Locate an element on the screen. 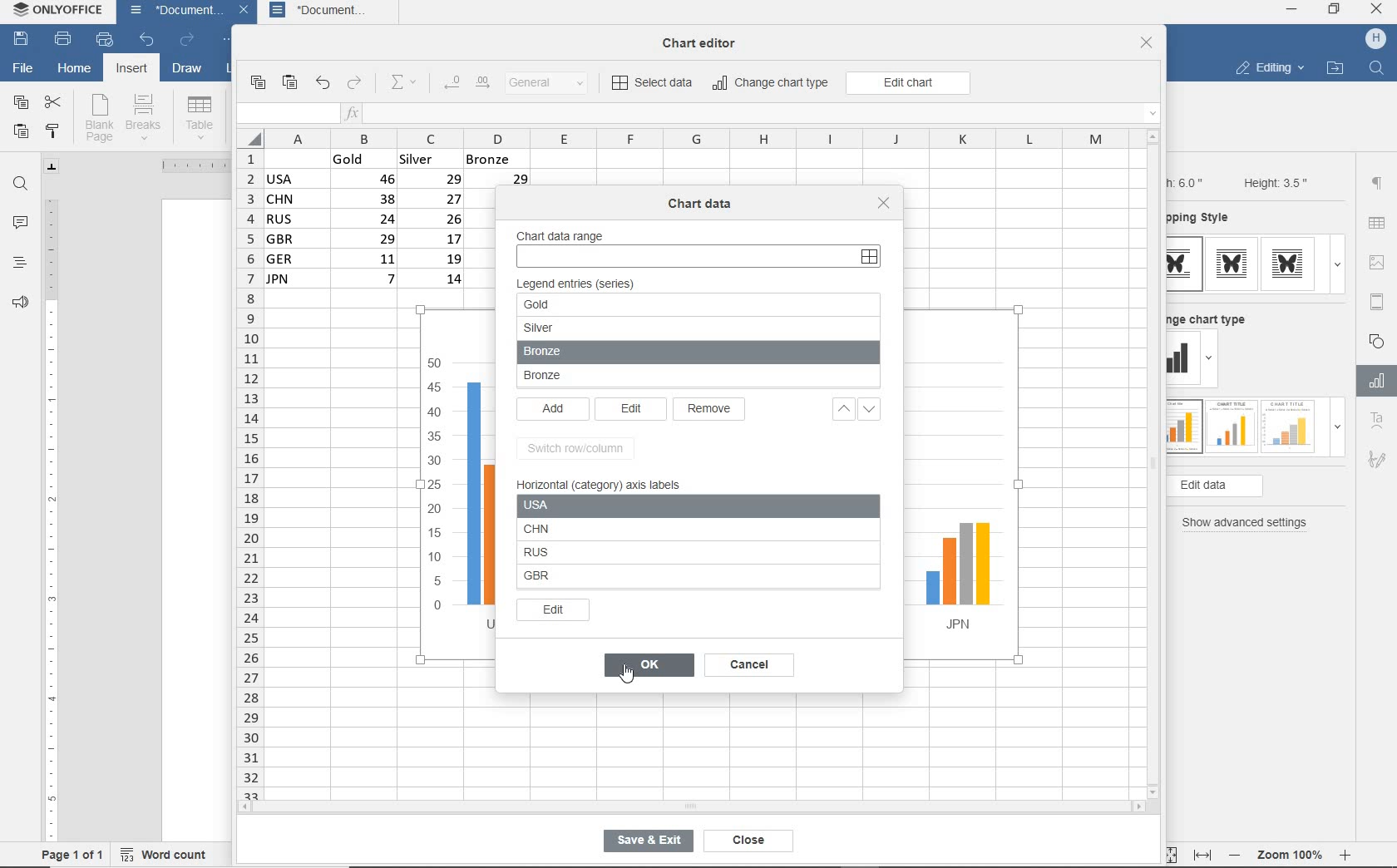 This screenshot has width=1397, height=868. breaks is located at coordinates (146, 117).